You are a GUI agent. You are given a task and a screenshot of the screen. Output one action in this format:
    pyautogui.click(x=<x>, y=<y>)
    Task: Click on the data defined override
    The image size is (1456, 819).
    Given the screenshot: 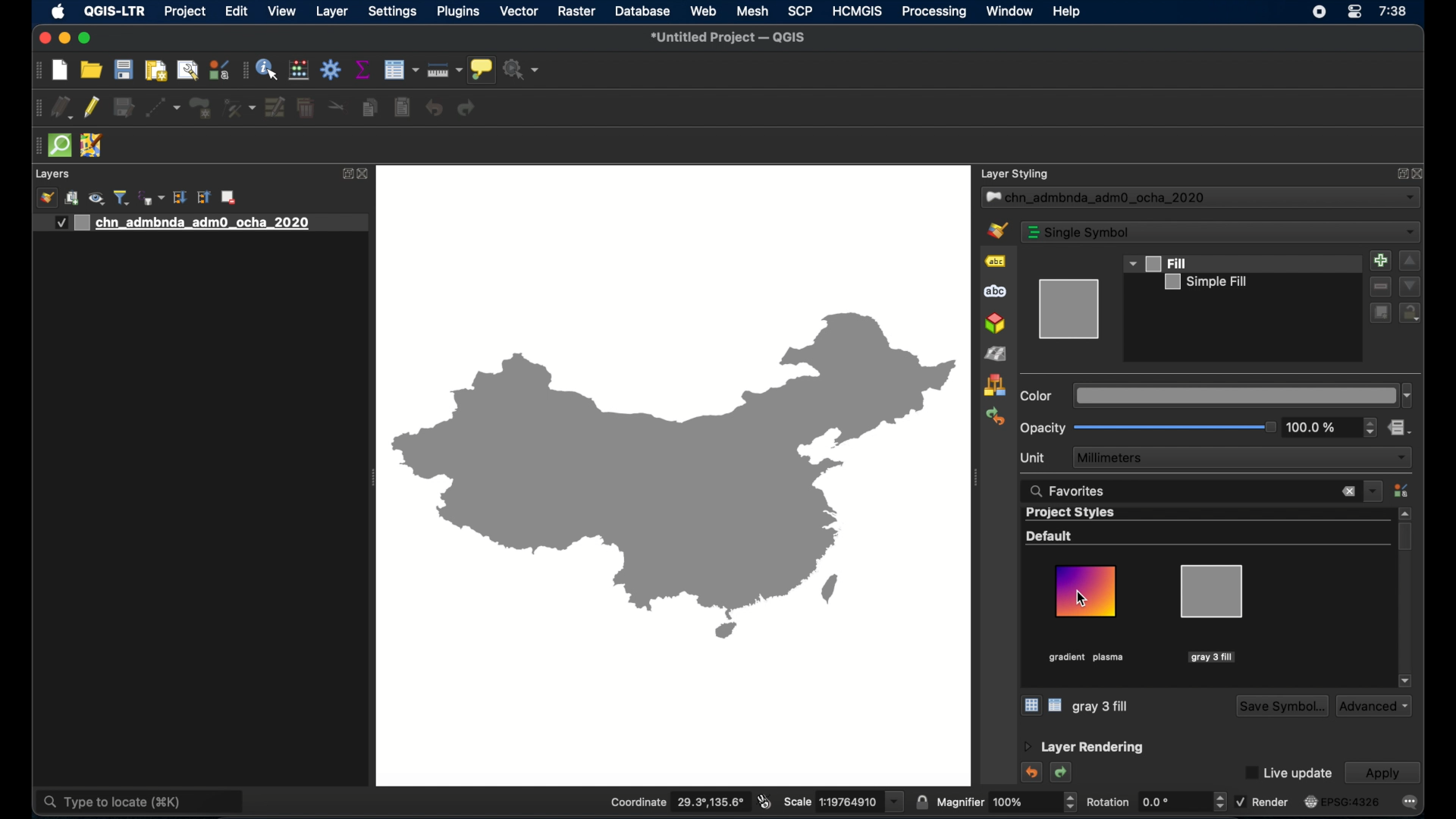 What is the action you would take?
    pyautogui.click(x=1399, y=428)
    